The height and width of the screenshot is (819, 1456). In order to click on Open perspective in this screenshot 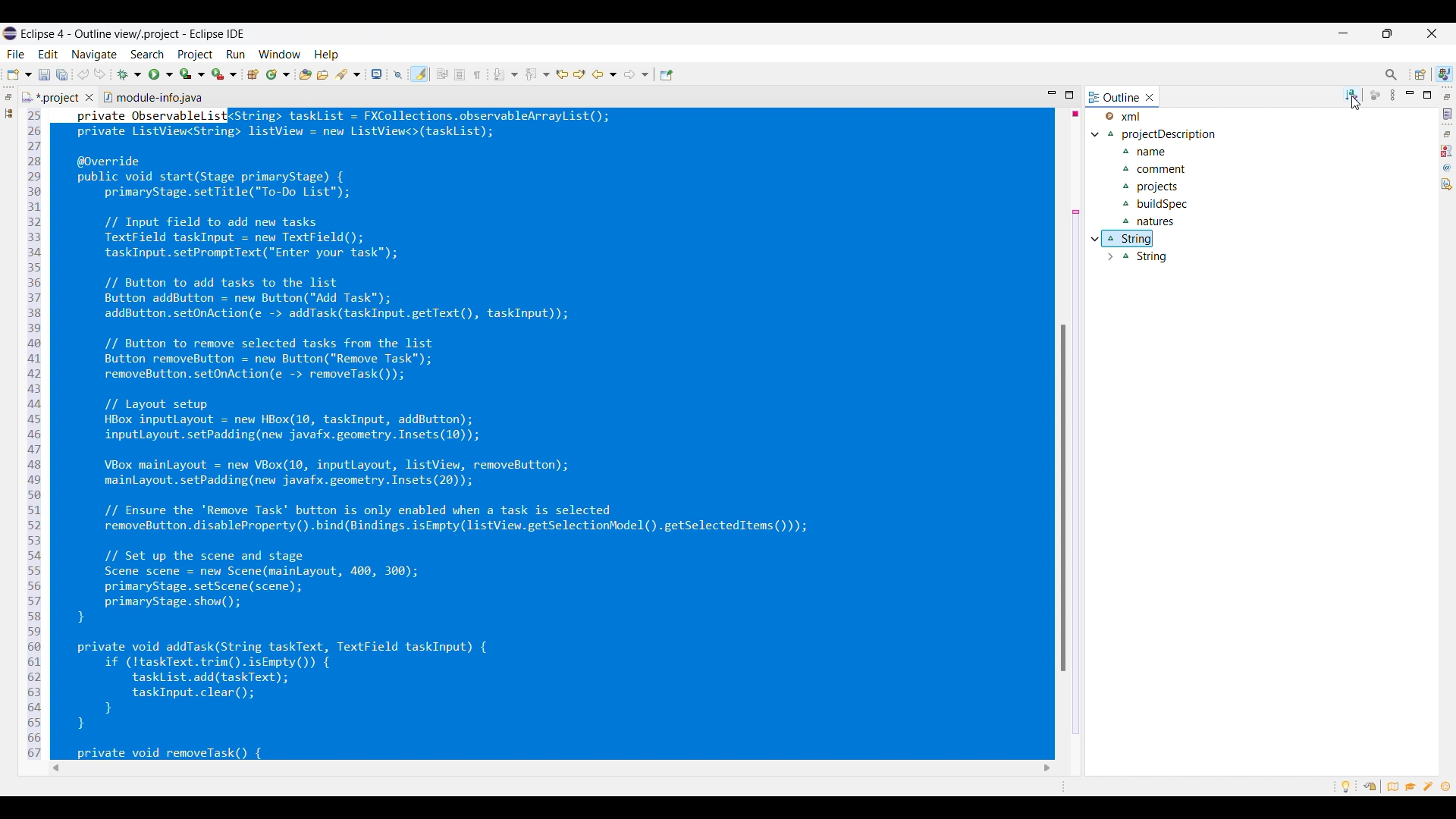, I will do `click(1420, 74)`.